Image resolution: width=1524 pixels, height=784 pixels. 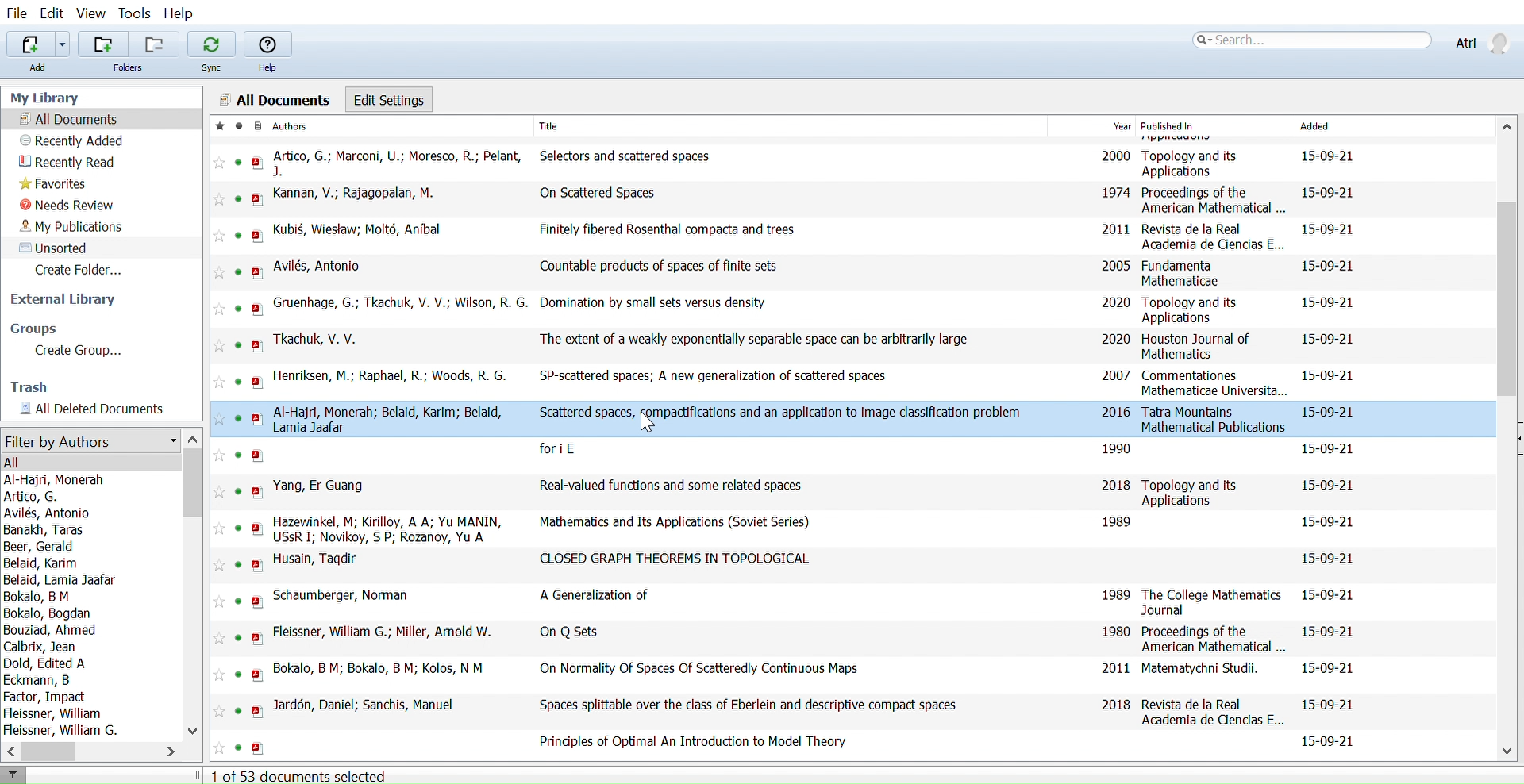 I want to click on Kubis, Wiestaw; Molt6, Anibal, so click(x=360, y=229).